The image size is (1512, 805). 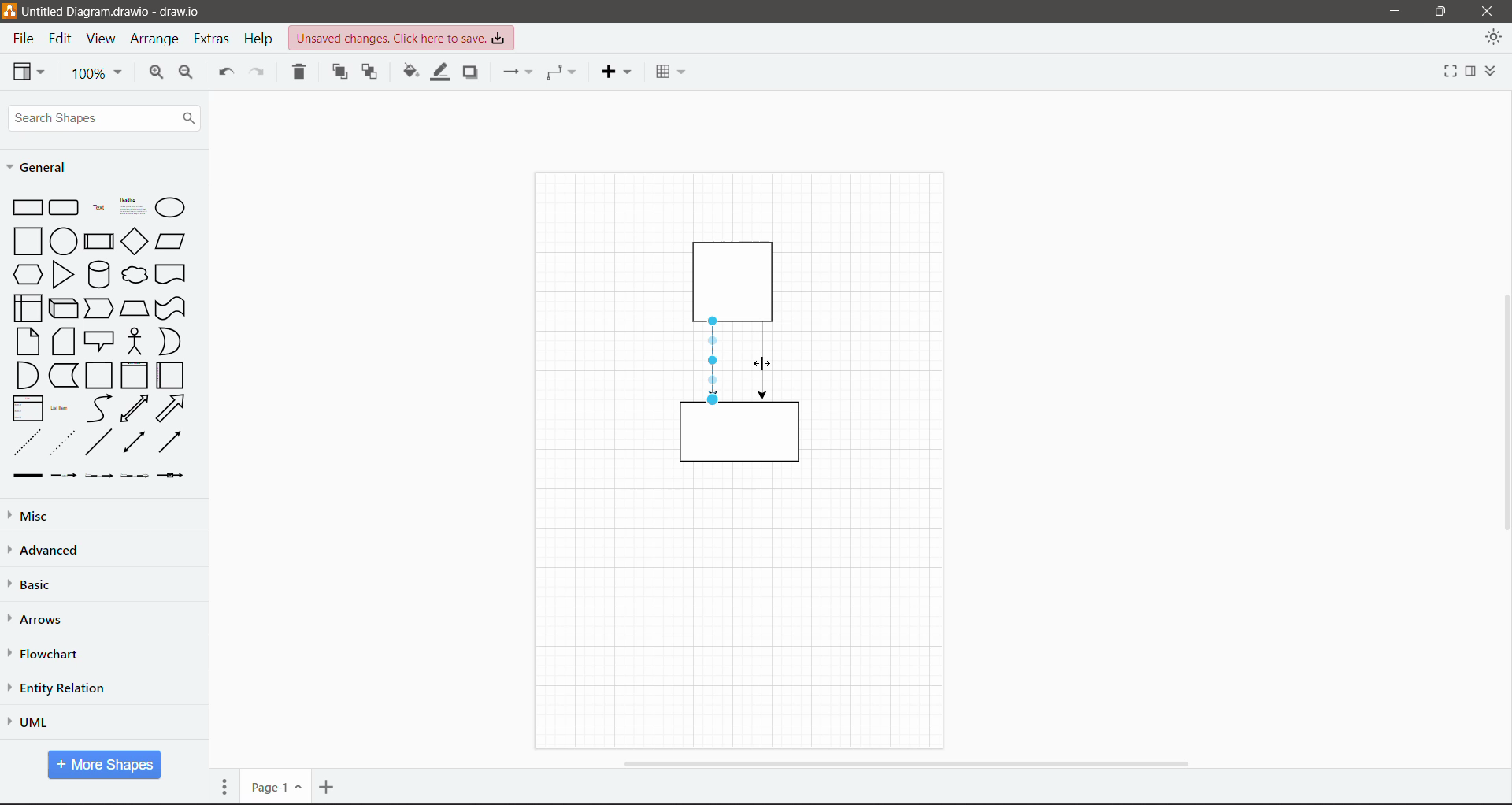 What do you see at coordinates (169, 442) in the screenshot?
I see `directional connector` at bounding box center [169, 442].